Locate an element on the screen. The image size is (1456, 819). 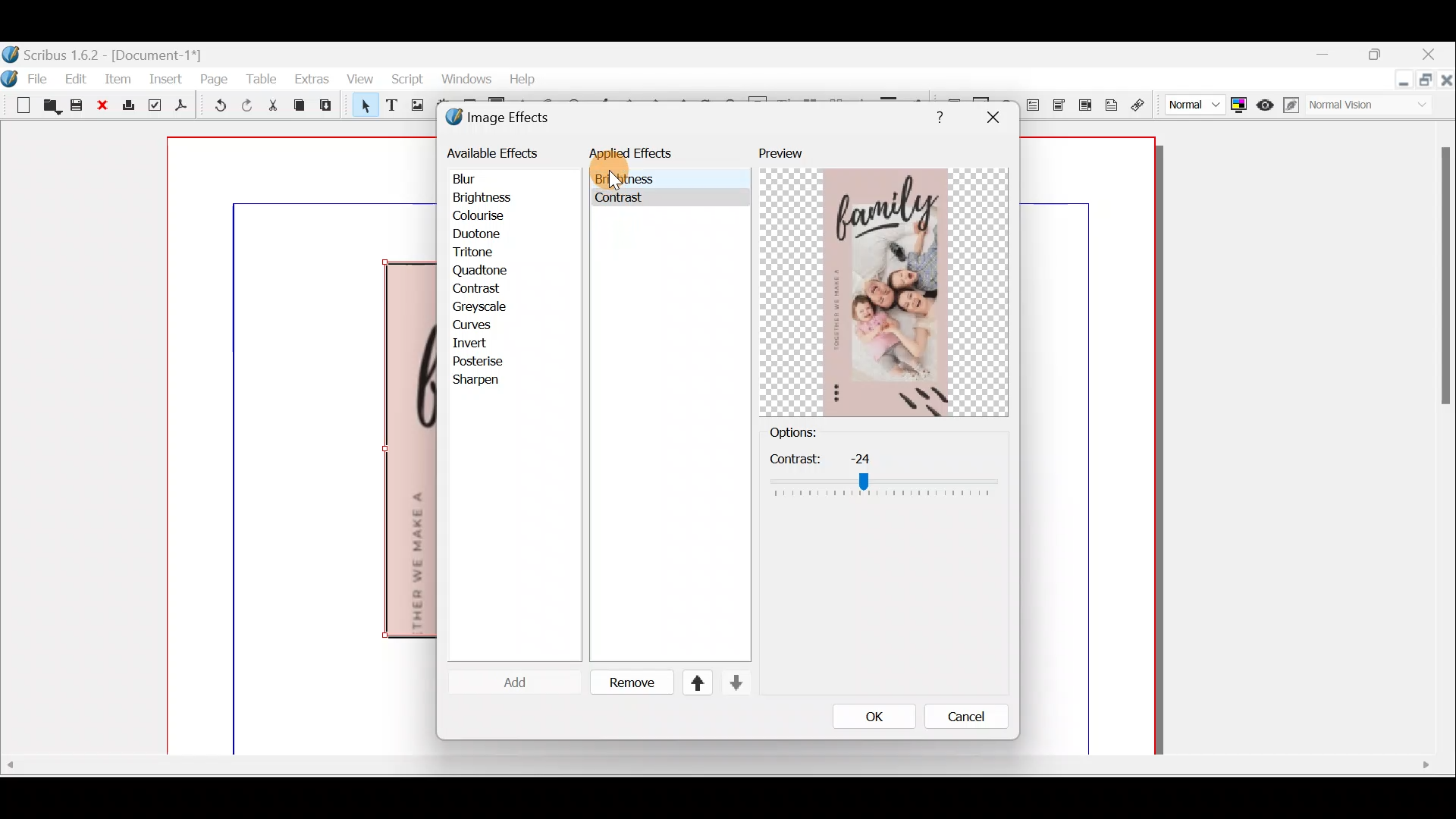
Copy is located at coordinates (300, 105).